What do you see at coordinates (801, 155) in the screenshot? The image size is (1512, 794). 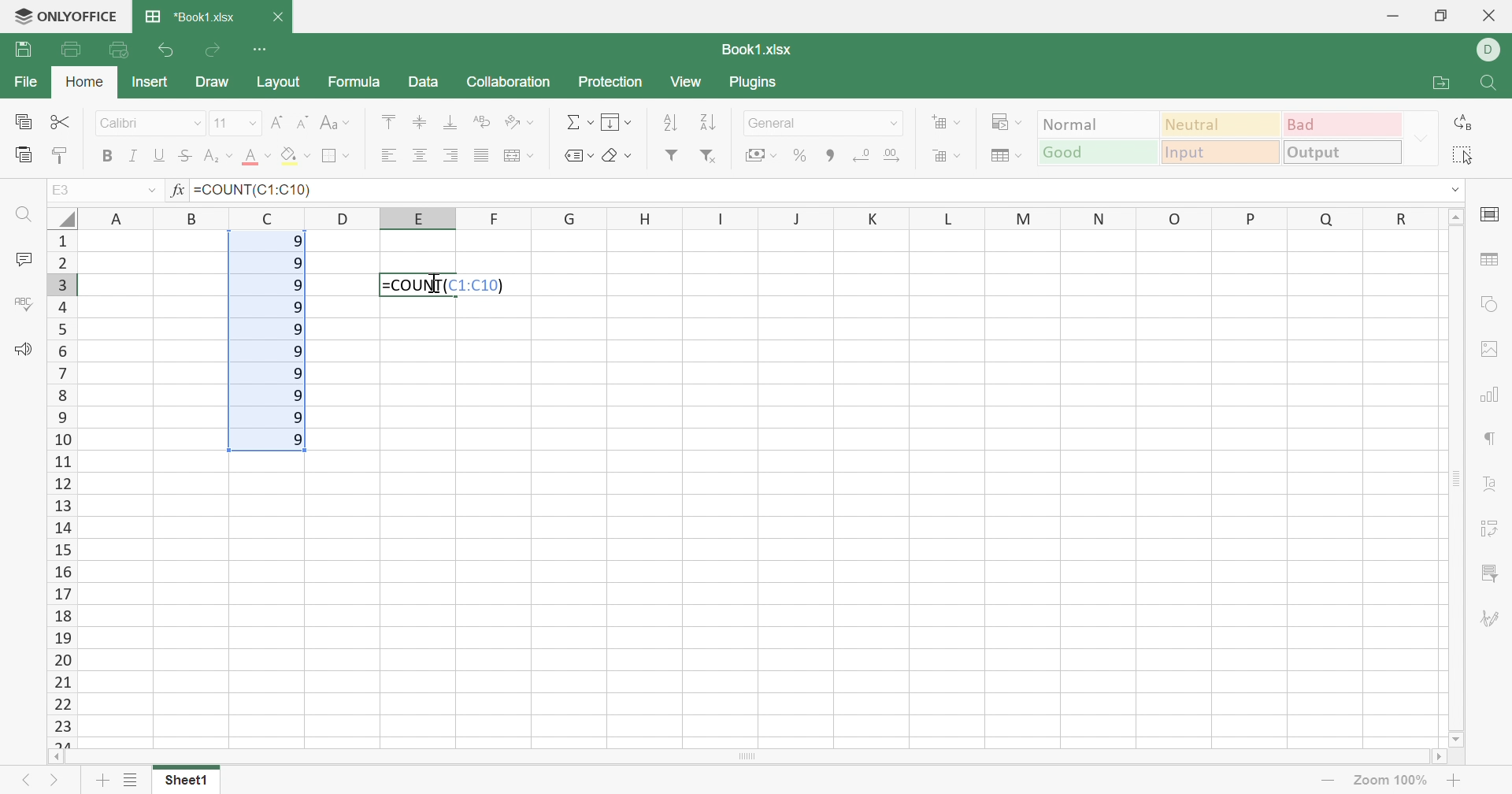 I see `Percent style` at bounding box center [801, 155].